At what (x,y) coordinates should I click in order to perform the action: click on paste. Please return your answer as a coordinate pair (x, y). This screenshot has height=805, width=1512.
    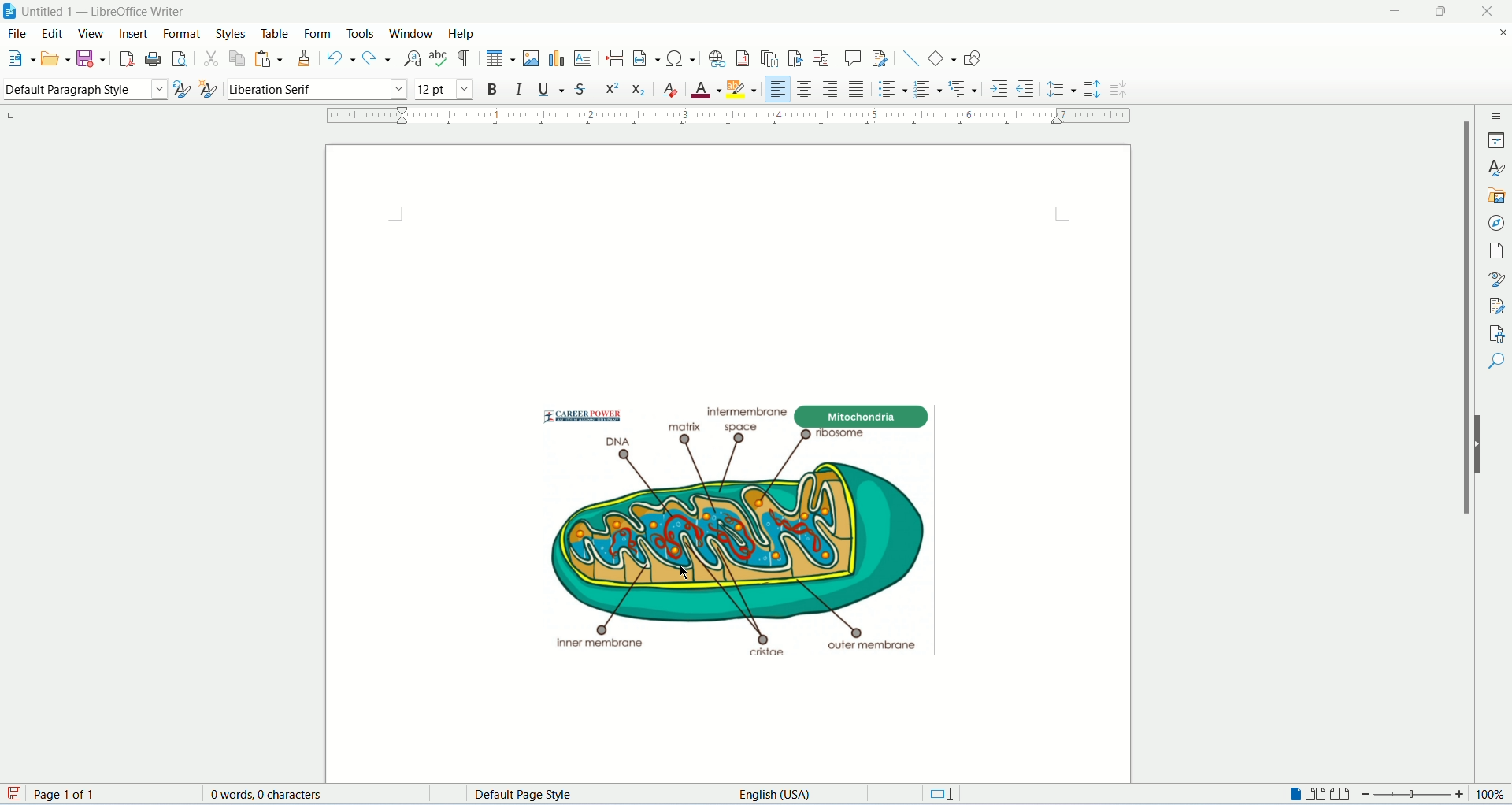
    Looking at the image, I should click on (269, 58).